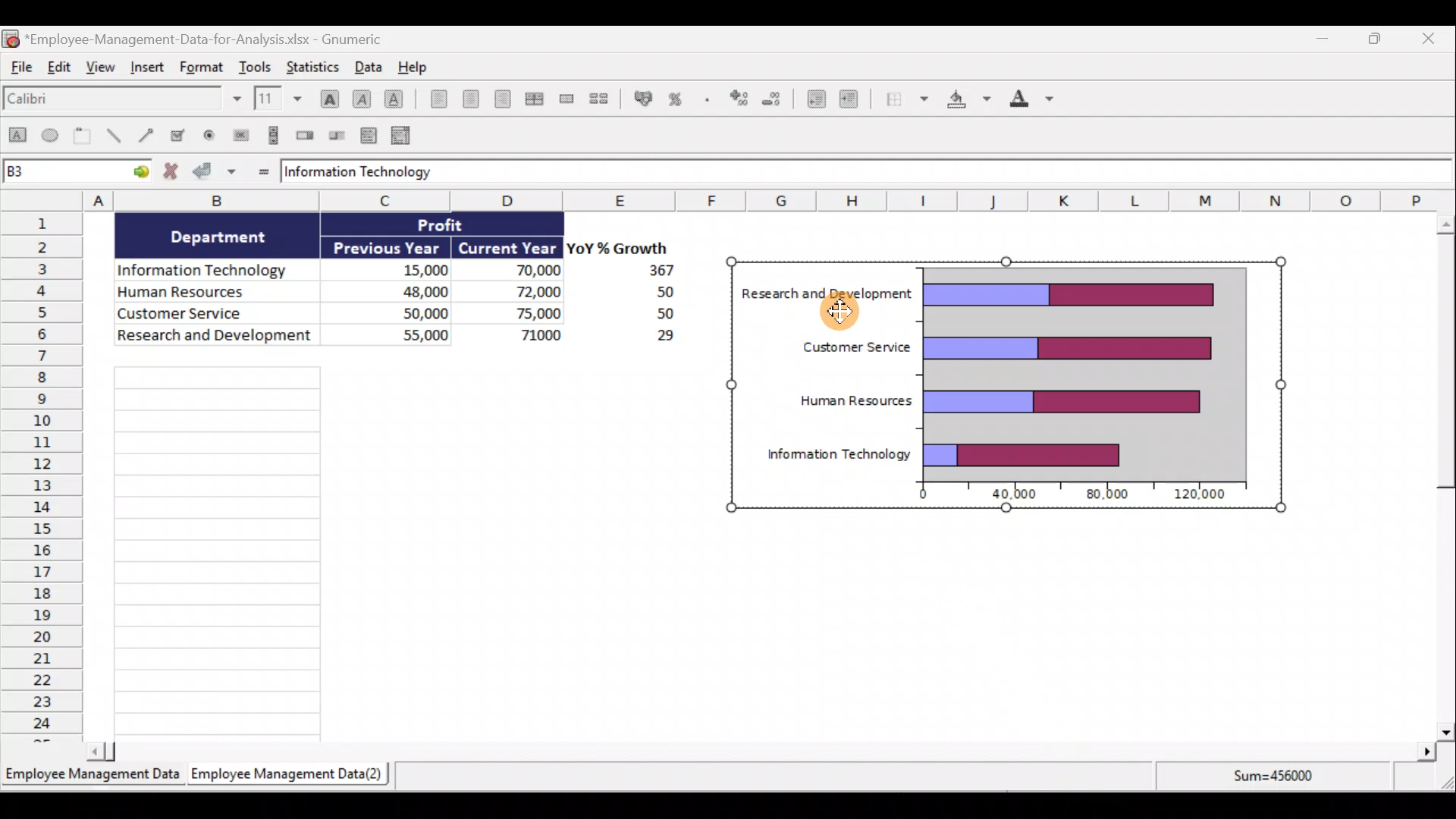 This screenshot has height=819, width=1456. Describe the element at coordinates (271, 135) in the screenshot. I see `Create a scrollbar` at that location.